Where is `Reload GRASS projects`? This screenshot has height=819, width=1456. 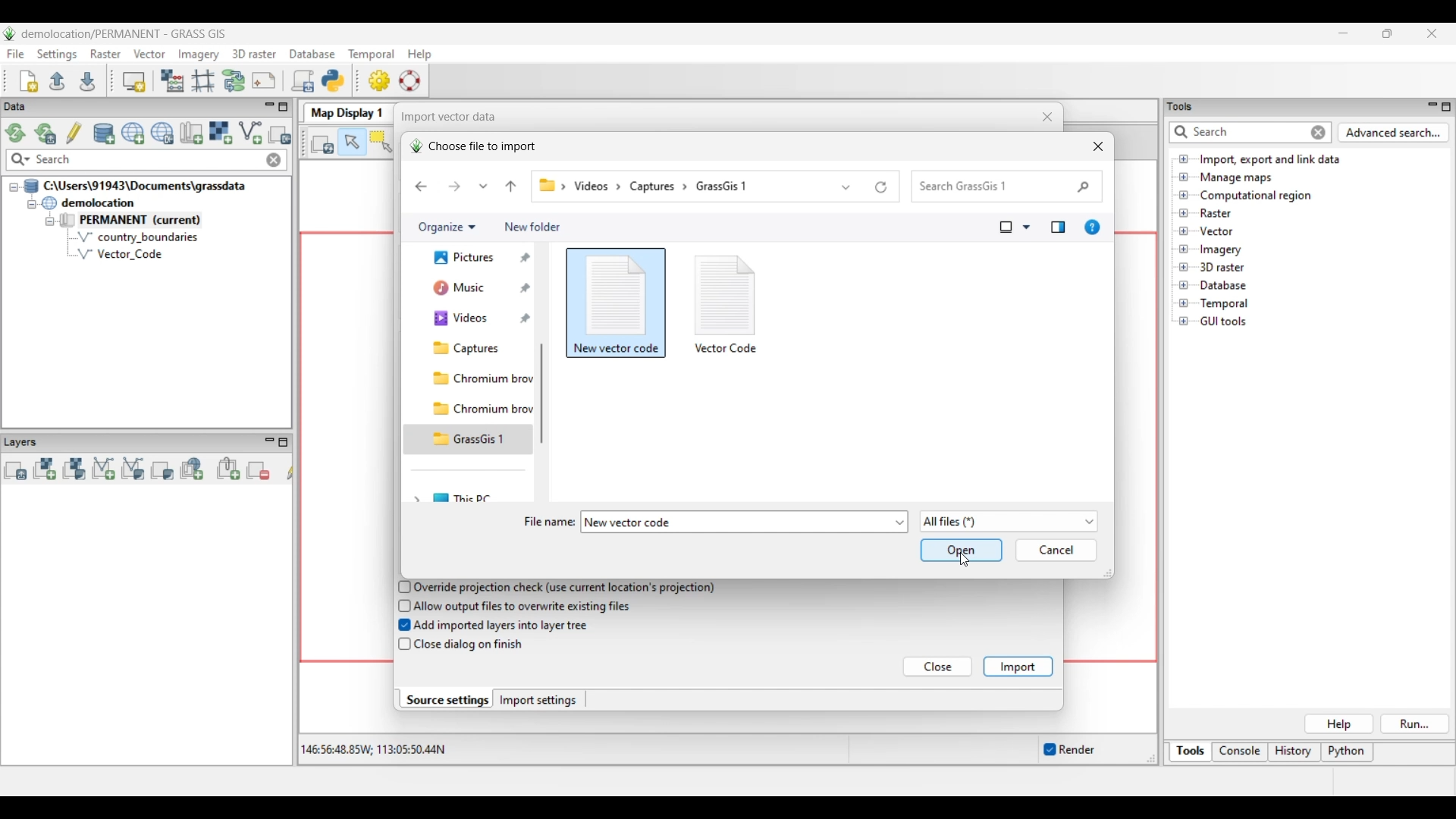
Reload GRASS projects is located at coordinates (16, 133).